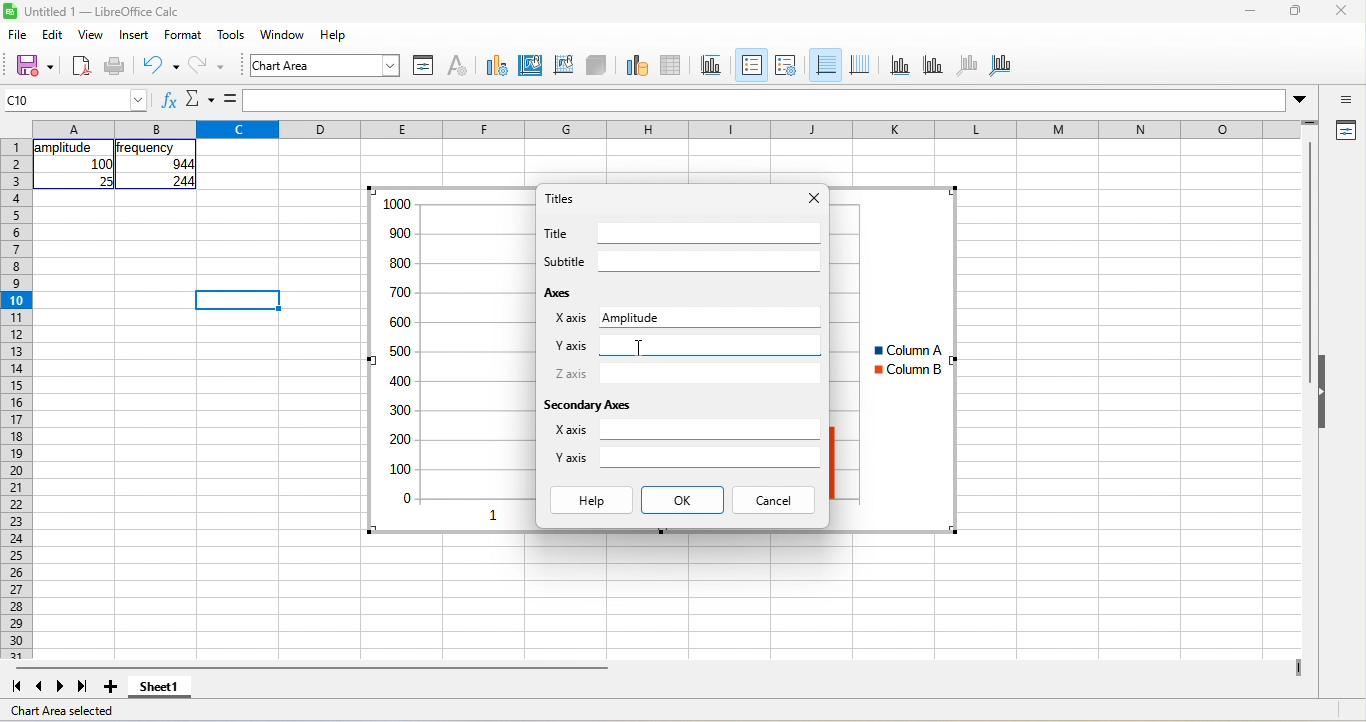 The image size is (1366, 722). I want to click on properties, so click(1344, 131).